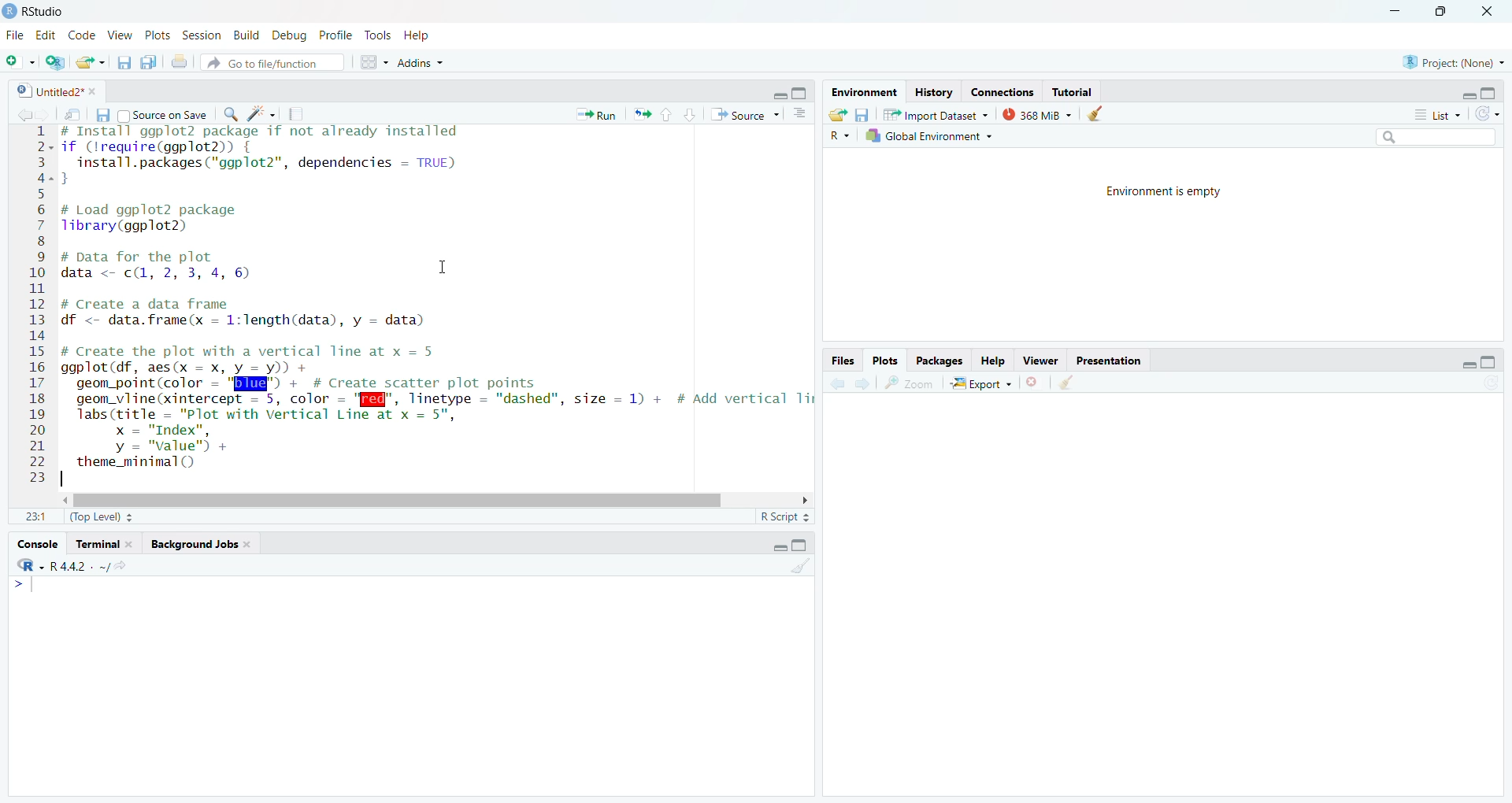  I want to click on scroll bar, so click(419, 498).